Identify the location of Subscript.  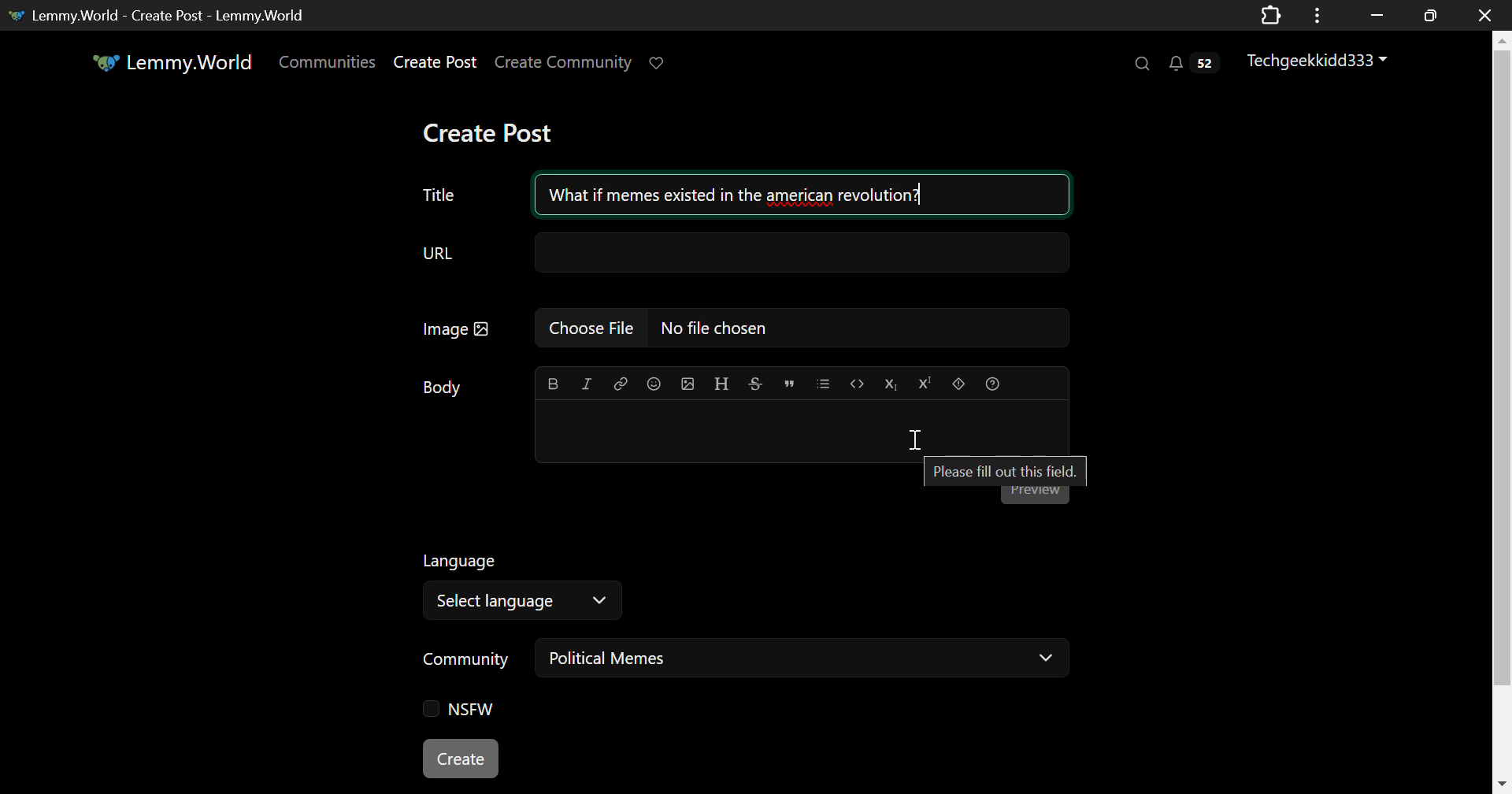
(892, 384).